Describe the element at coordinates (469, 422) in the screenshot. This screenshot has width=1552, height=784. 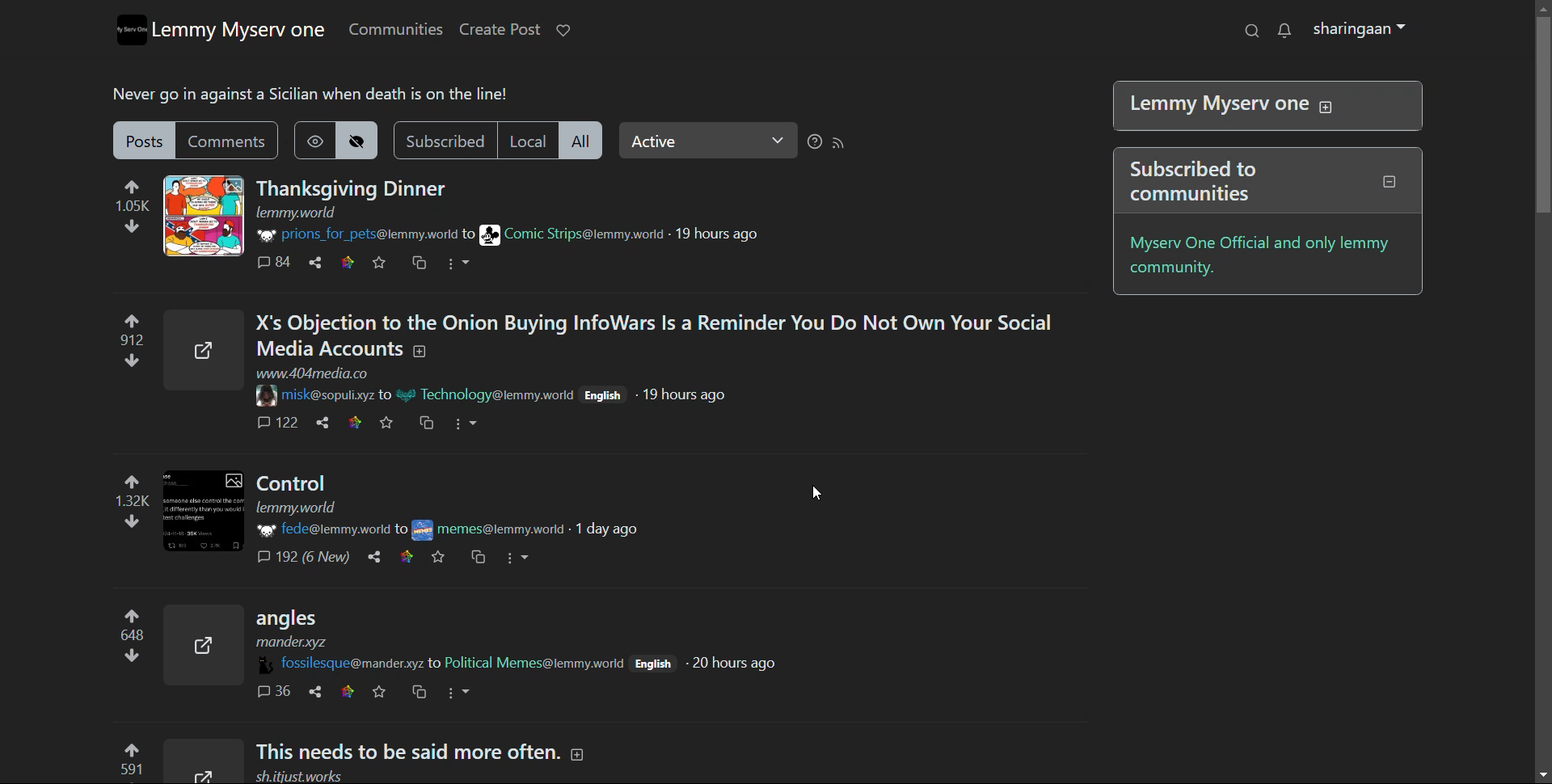
I see `More` at that location.